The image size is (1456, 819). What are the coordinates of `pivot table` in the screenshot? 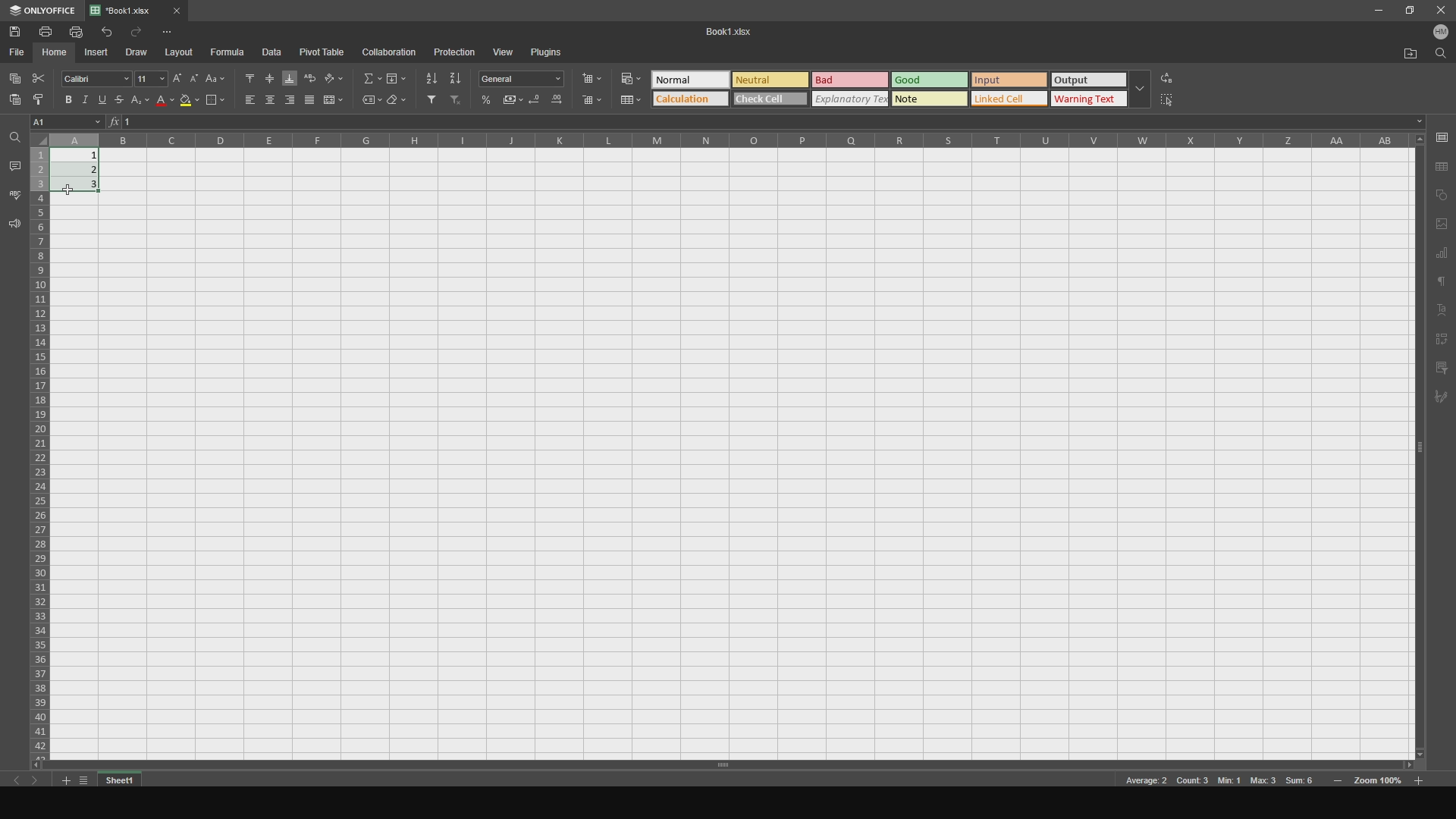 It's located at (324, 52).